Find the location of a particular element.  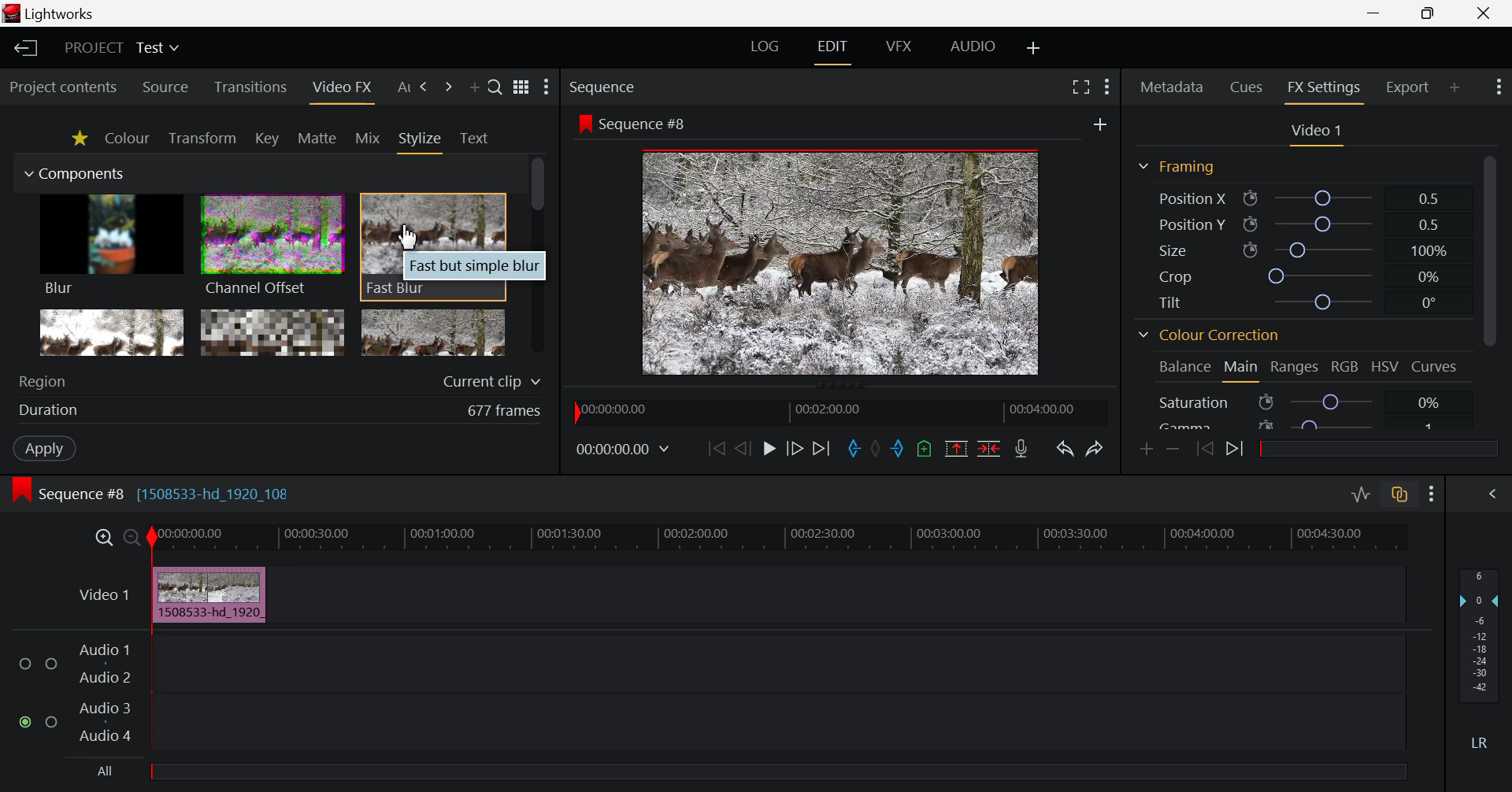

Mattle is located at coordinates (317, 137).